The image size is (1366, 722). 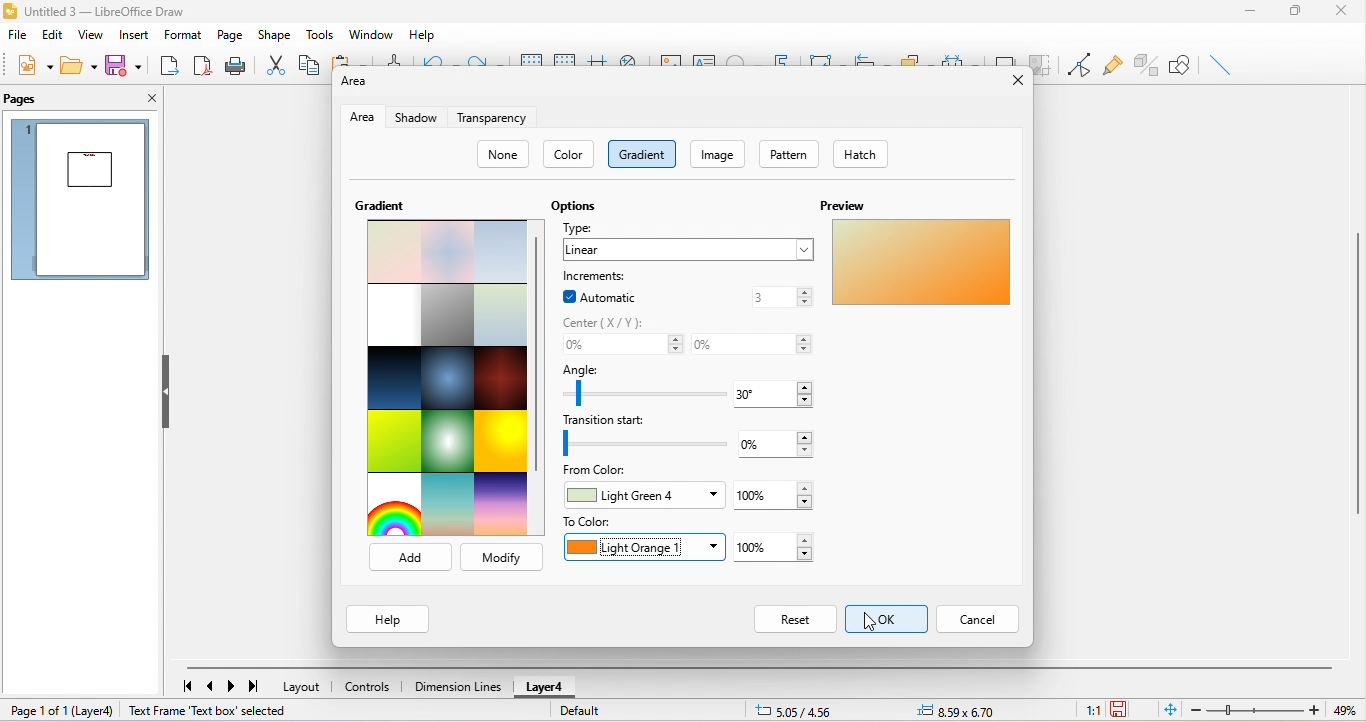 I want to click on help, so click(x=384, y=618).